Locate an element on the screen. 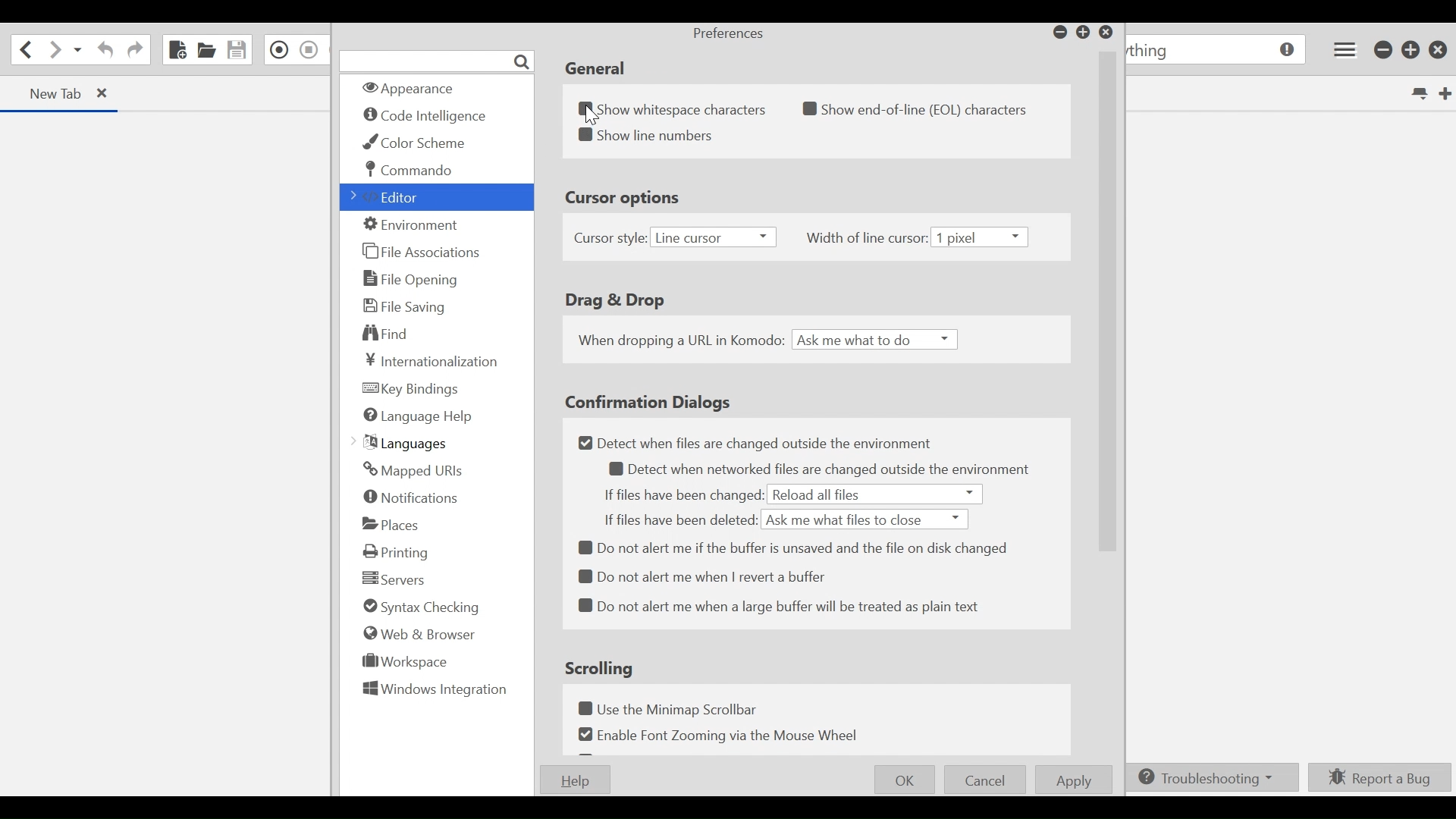  Show end-of-line (EOL) characters is located at coordinates (922, 111).